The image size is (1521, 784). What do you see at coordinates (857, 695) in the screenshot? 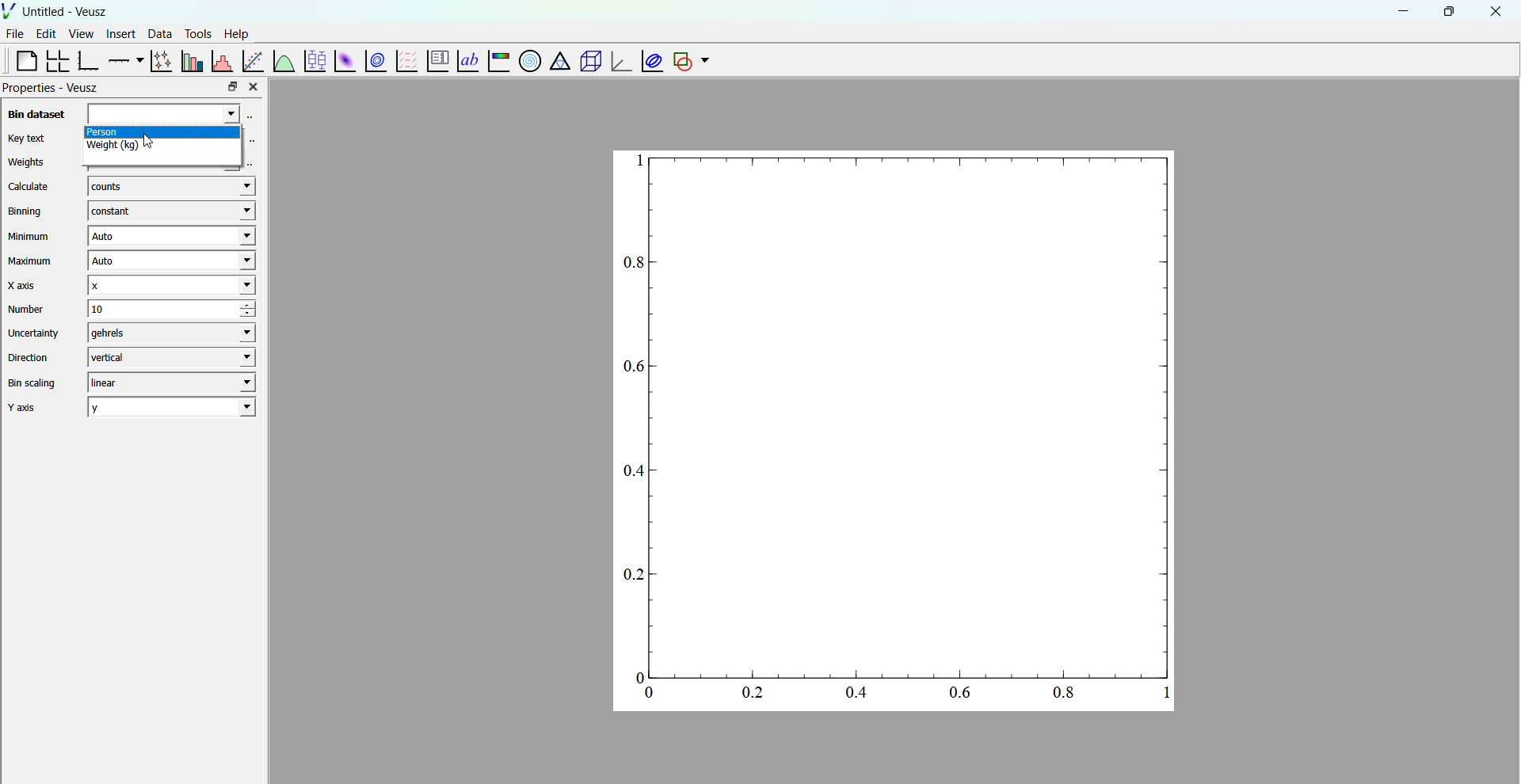
I see `0.4` at bounding box center [857, 695].